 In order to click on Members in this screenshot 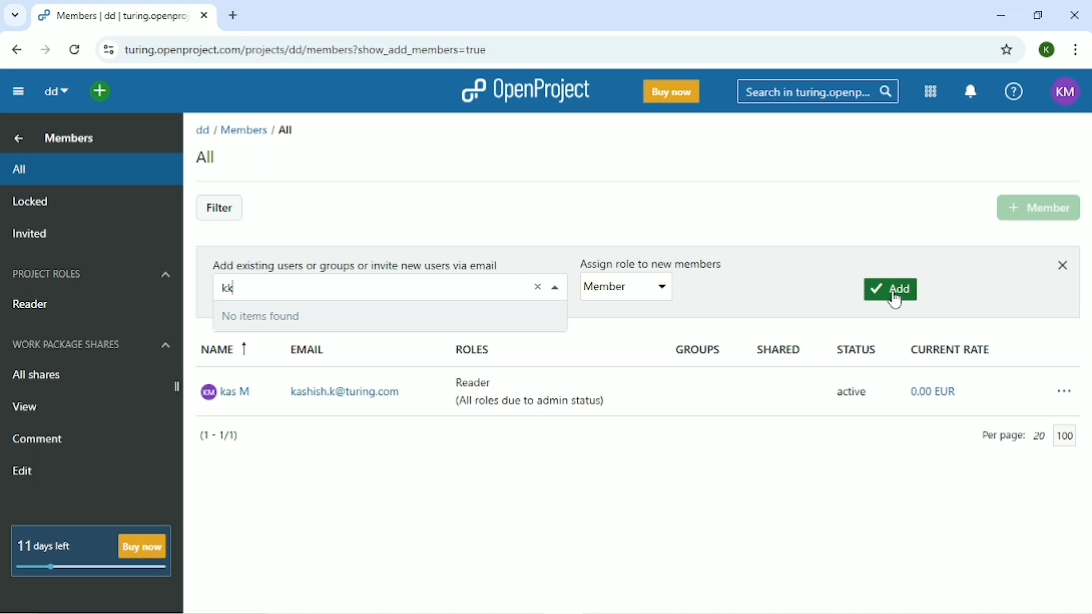, I will do `click(244, 129)`.